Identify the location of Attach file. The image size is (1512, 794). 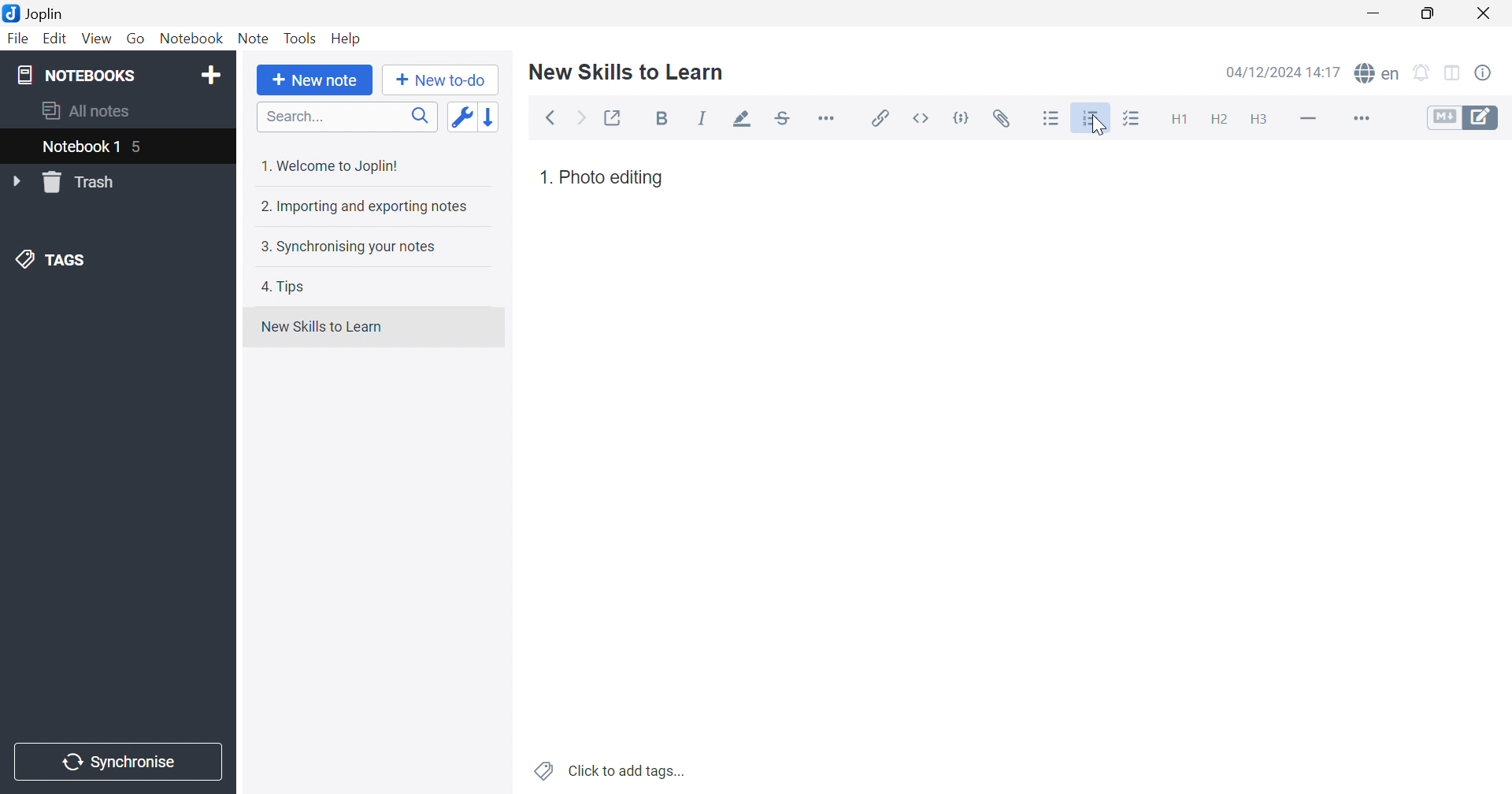
(1002, 119).